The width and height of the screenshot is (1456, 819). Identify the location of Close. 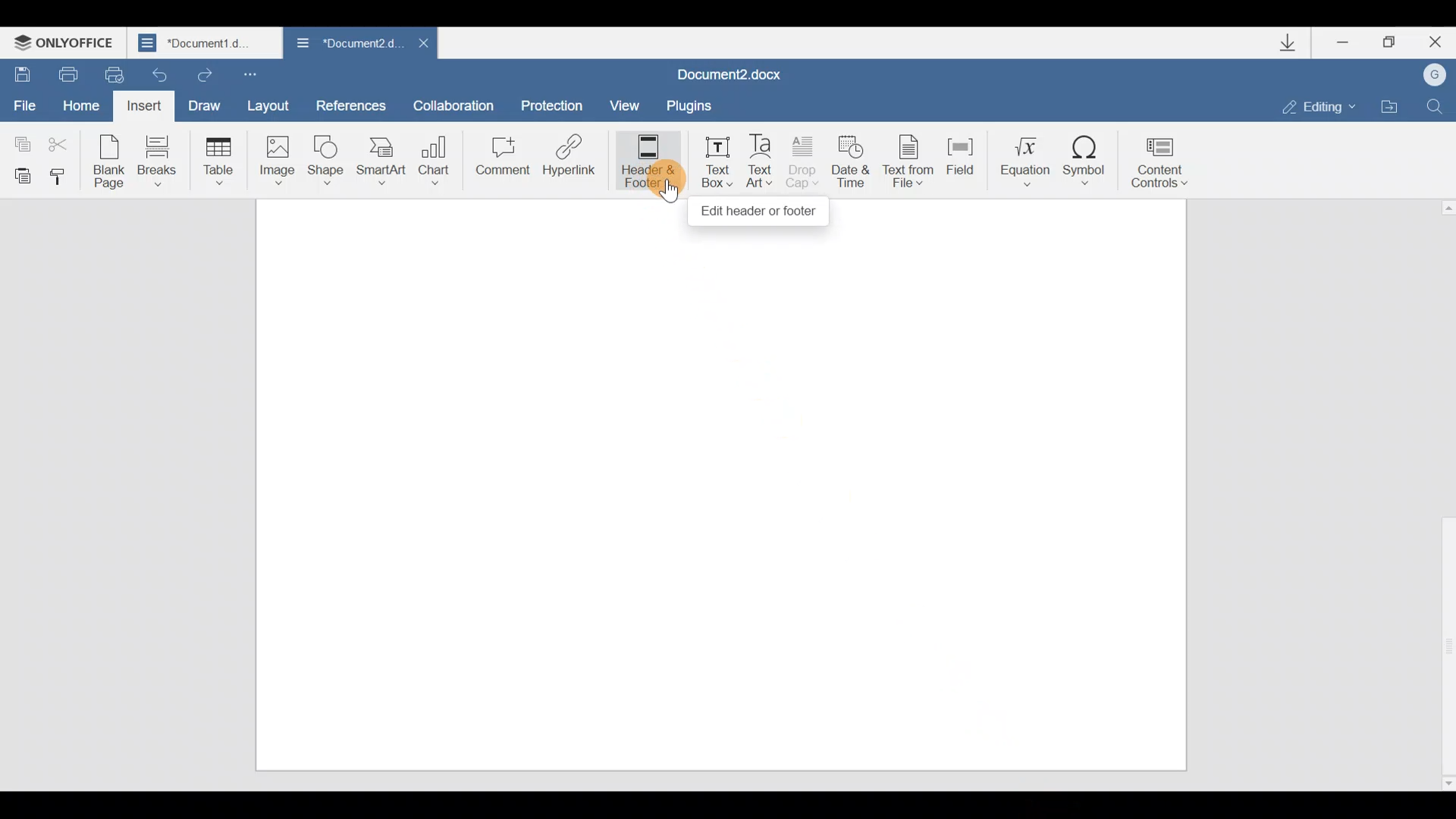
(1435, 42).